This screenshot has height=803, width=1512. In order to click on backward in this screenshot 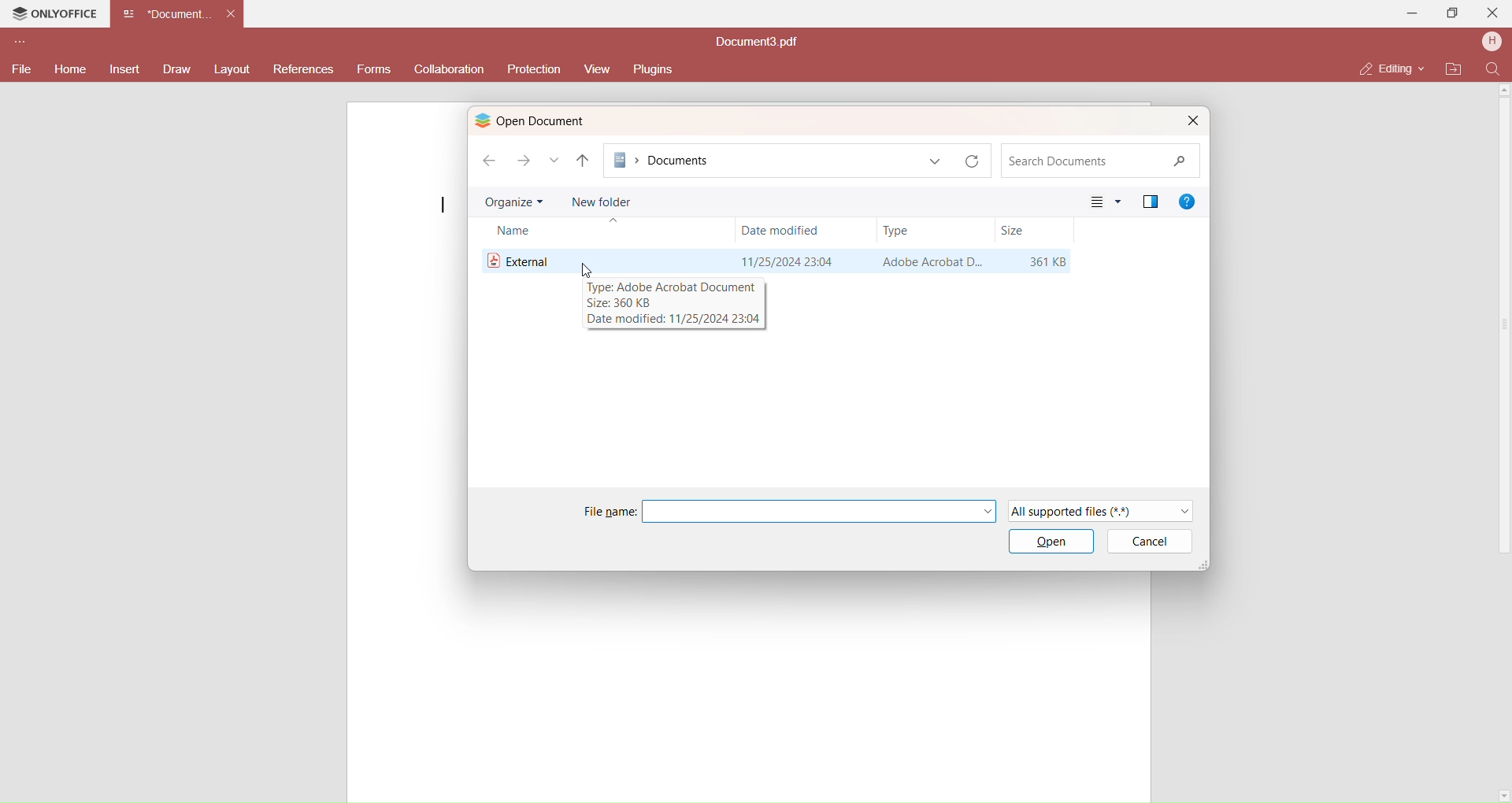, I will do `click(487, 158)`.